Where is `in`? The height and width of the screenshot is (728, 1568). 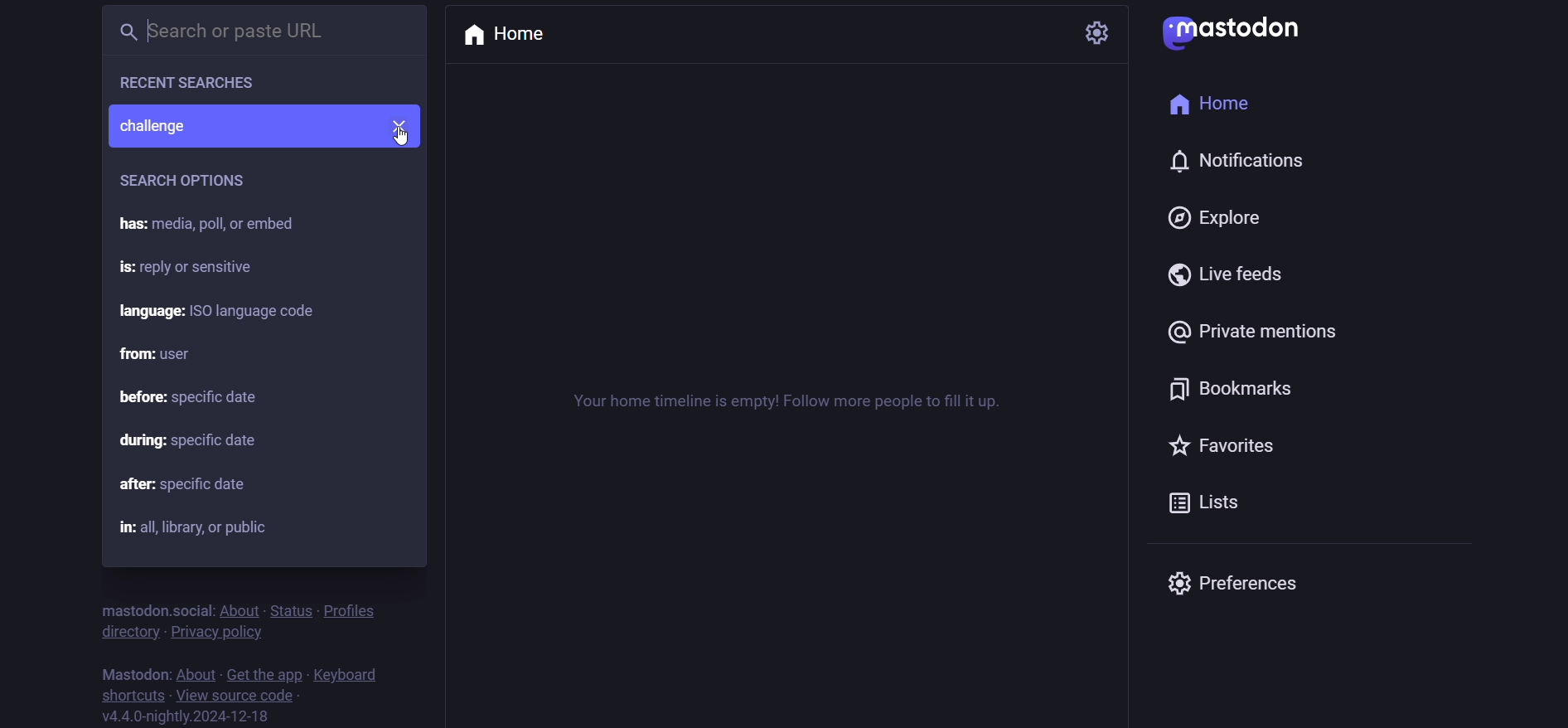
in is located at coordinates (190, 523).